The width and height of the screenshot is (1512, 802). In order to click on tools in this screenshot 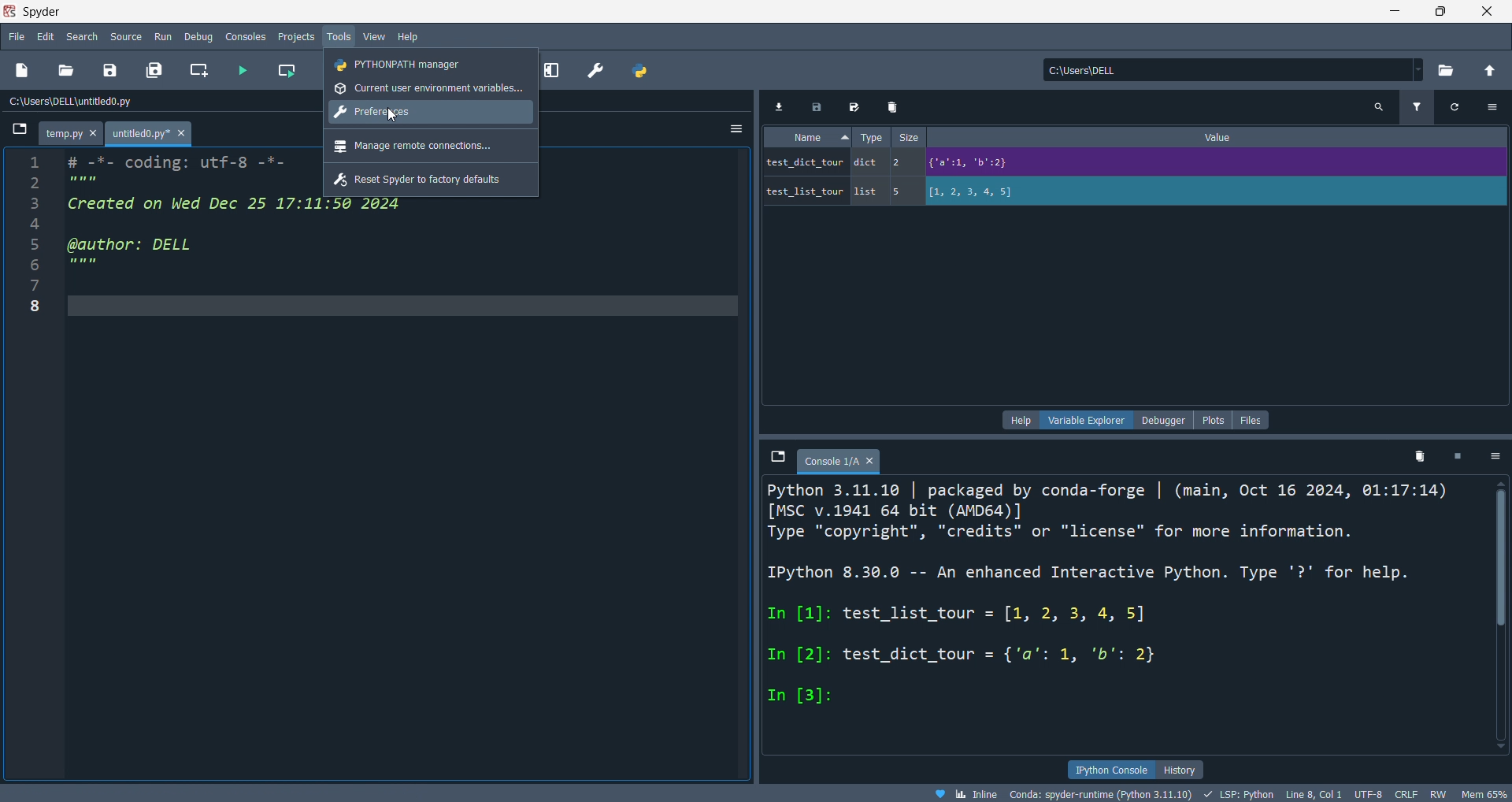, I will do `click(339, 36)`.